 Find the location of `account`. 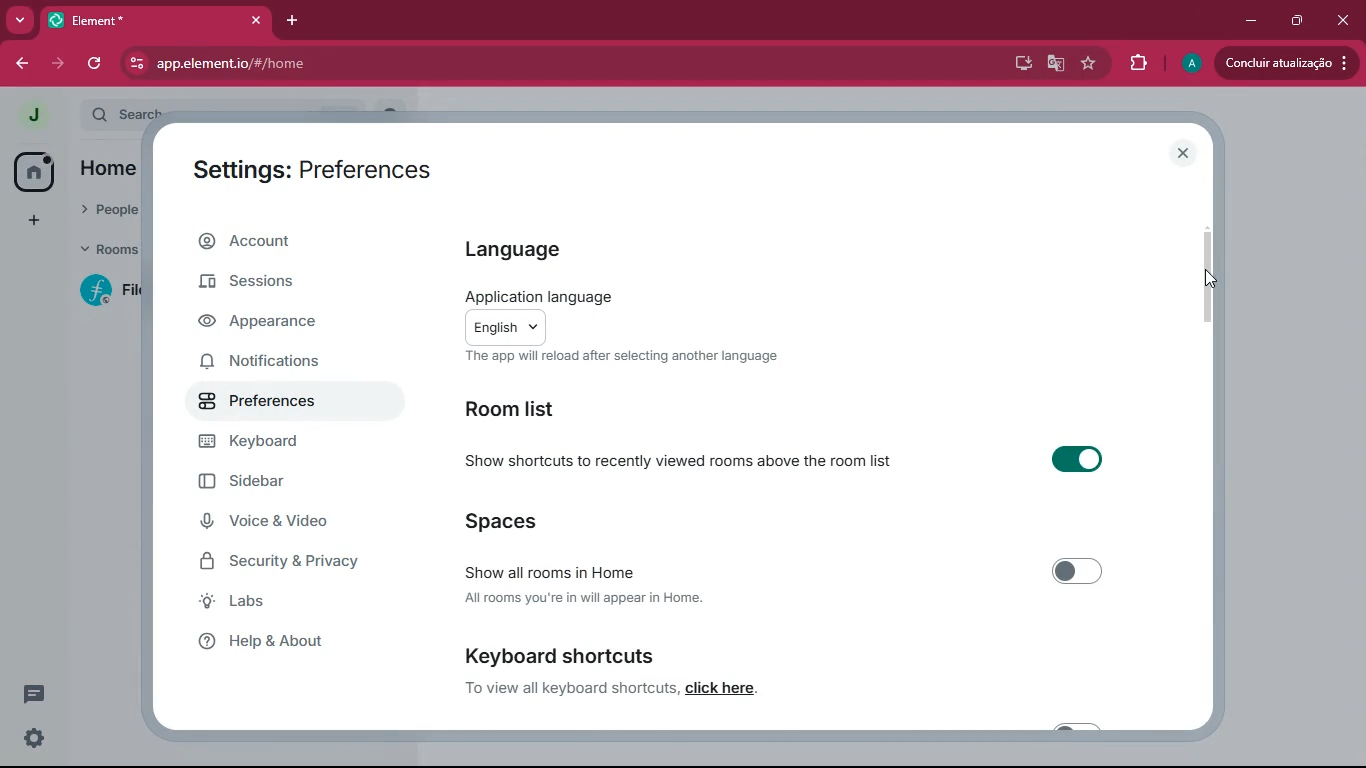

account is located at coordinates (287, 241).